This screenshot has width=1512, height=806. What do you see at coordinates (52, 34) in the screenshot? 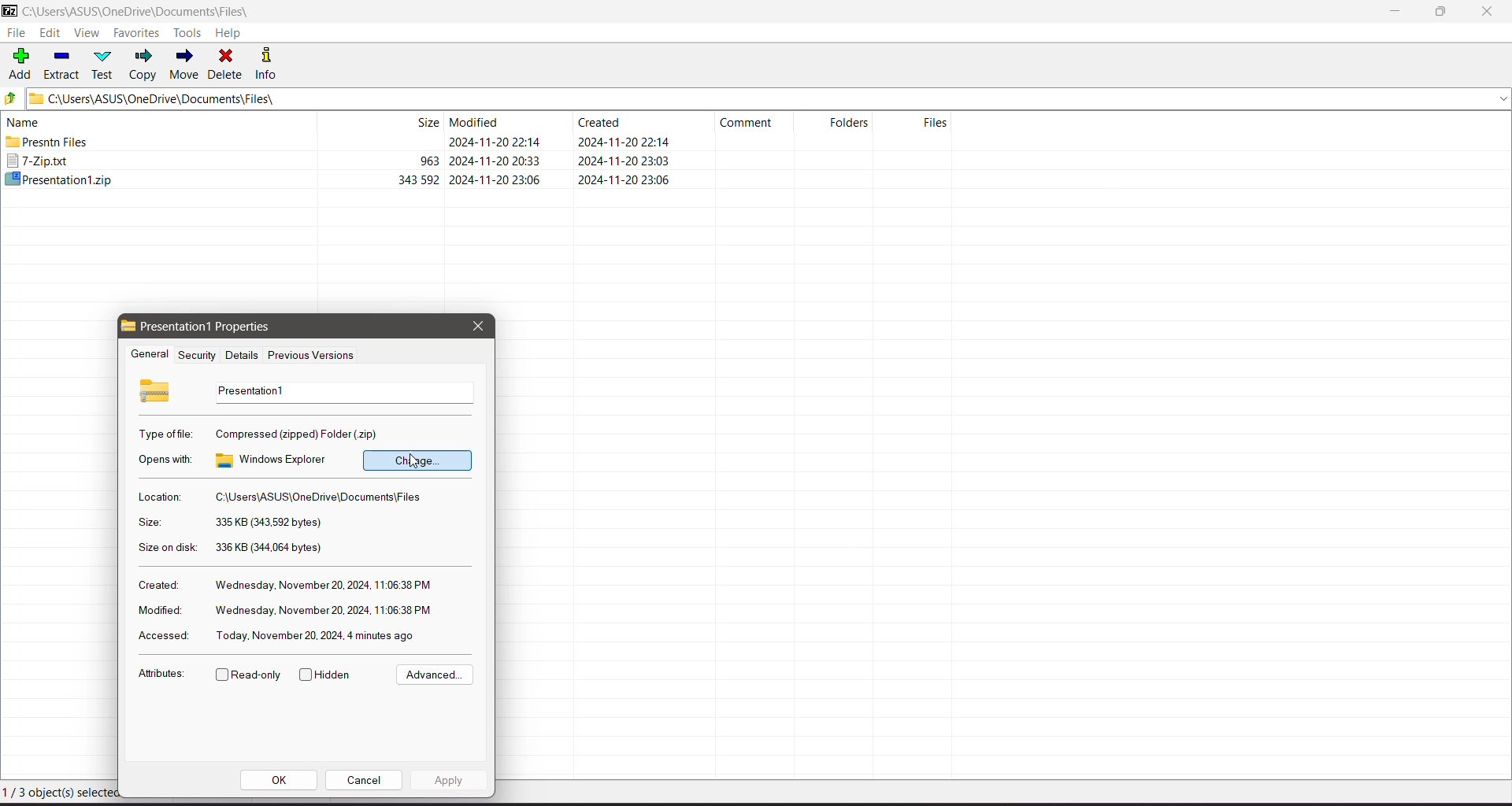
I see `Edit` at bounding box center [52, 34].